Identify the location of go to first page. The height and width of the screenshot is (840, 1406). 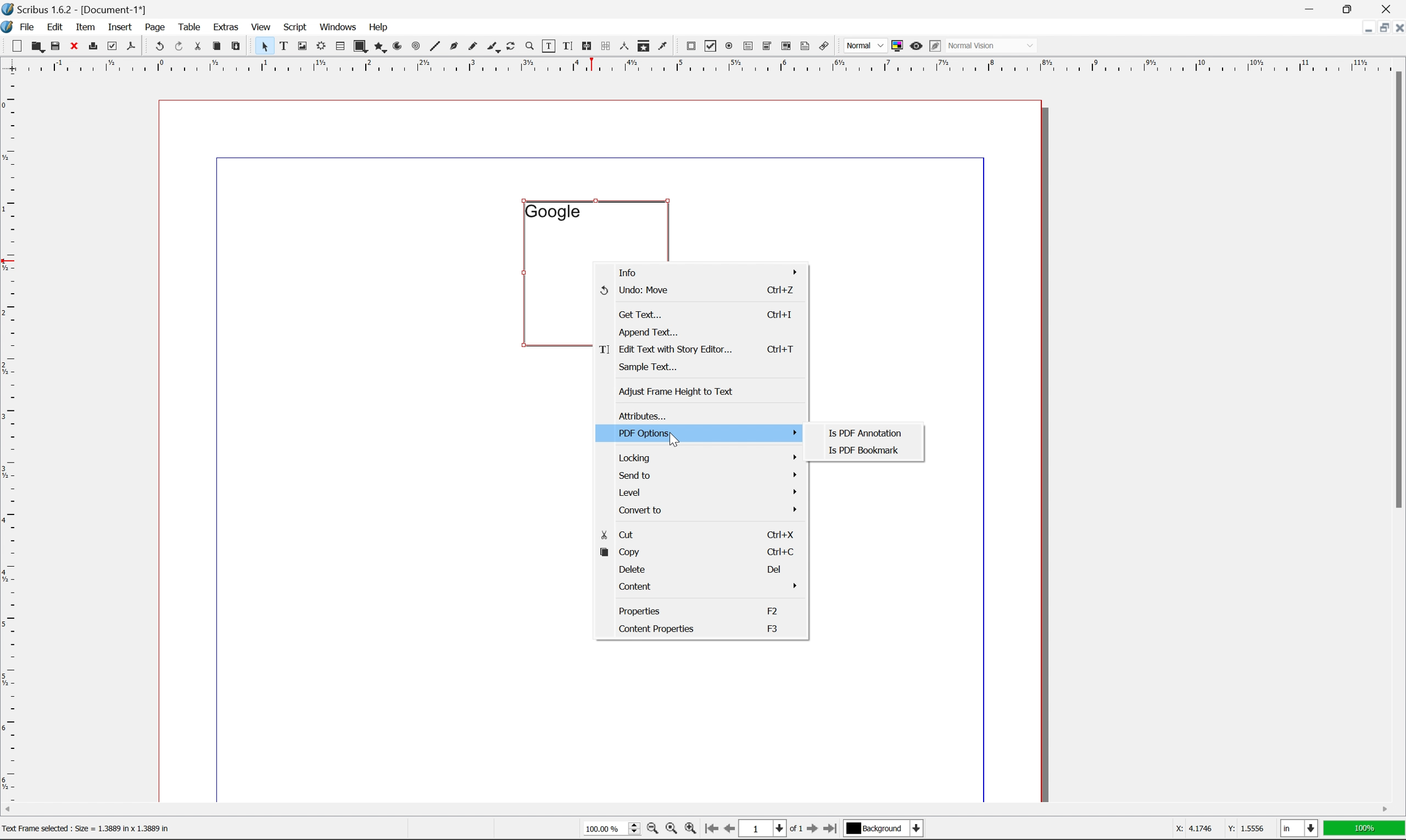
(710, 829).